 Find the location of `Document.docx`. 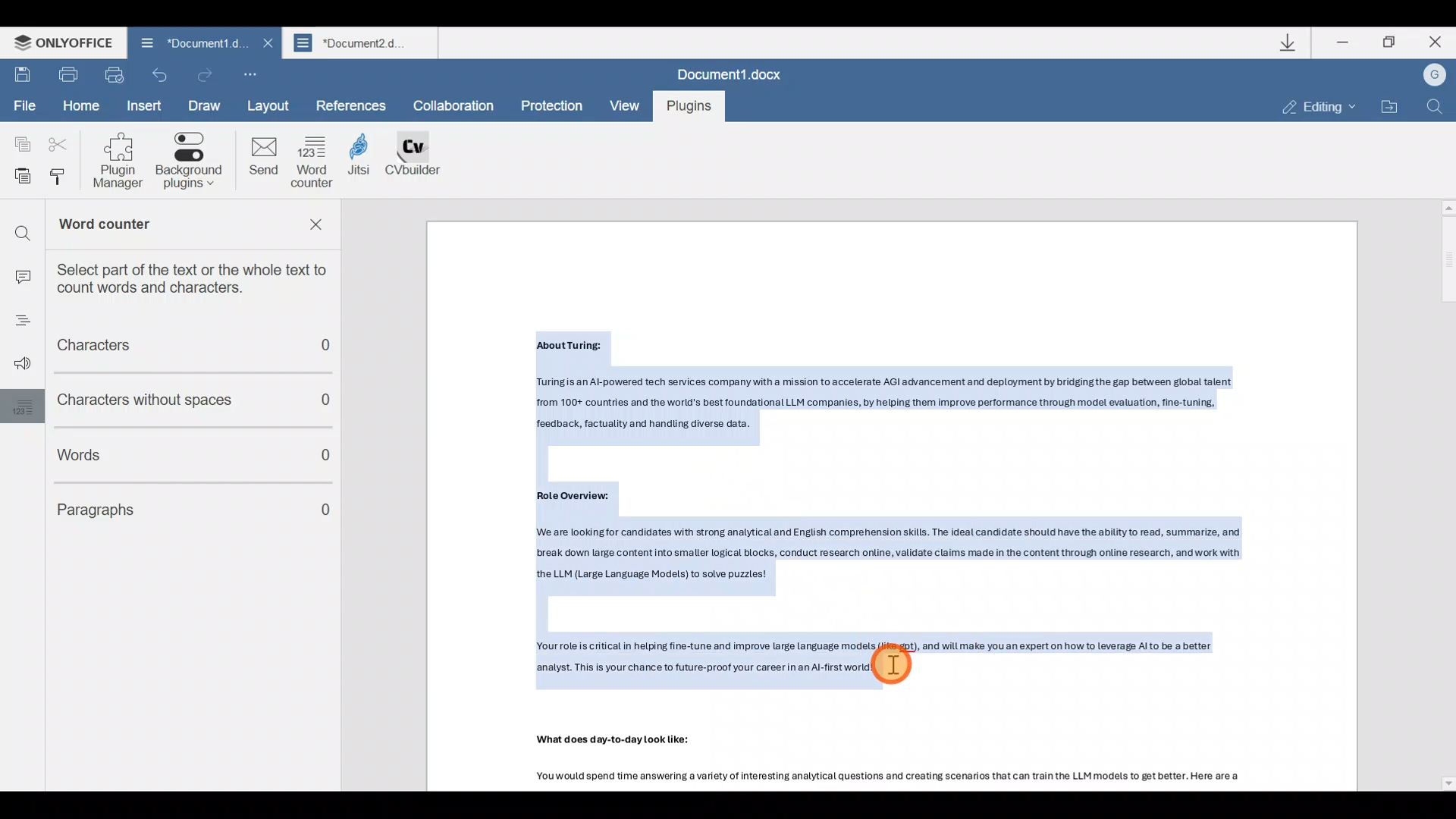

Document.docx is located at coordinates (731, 73).